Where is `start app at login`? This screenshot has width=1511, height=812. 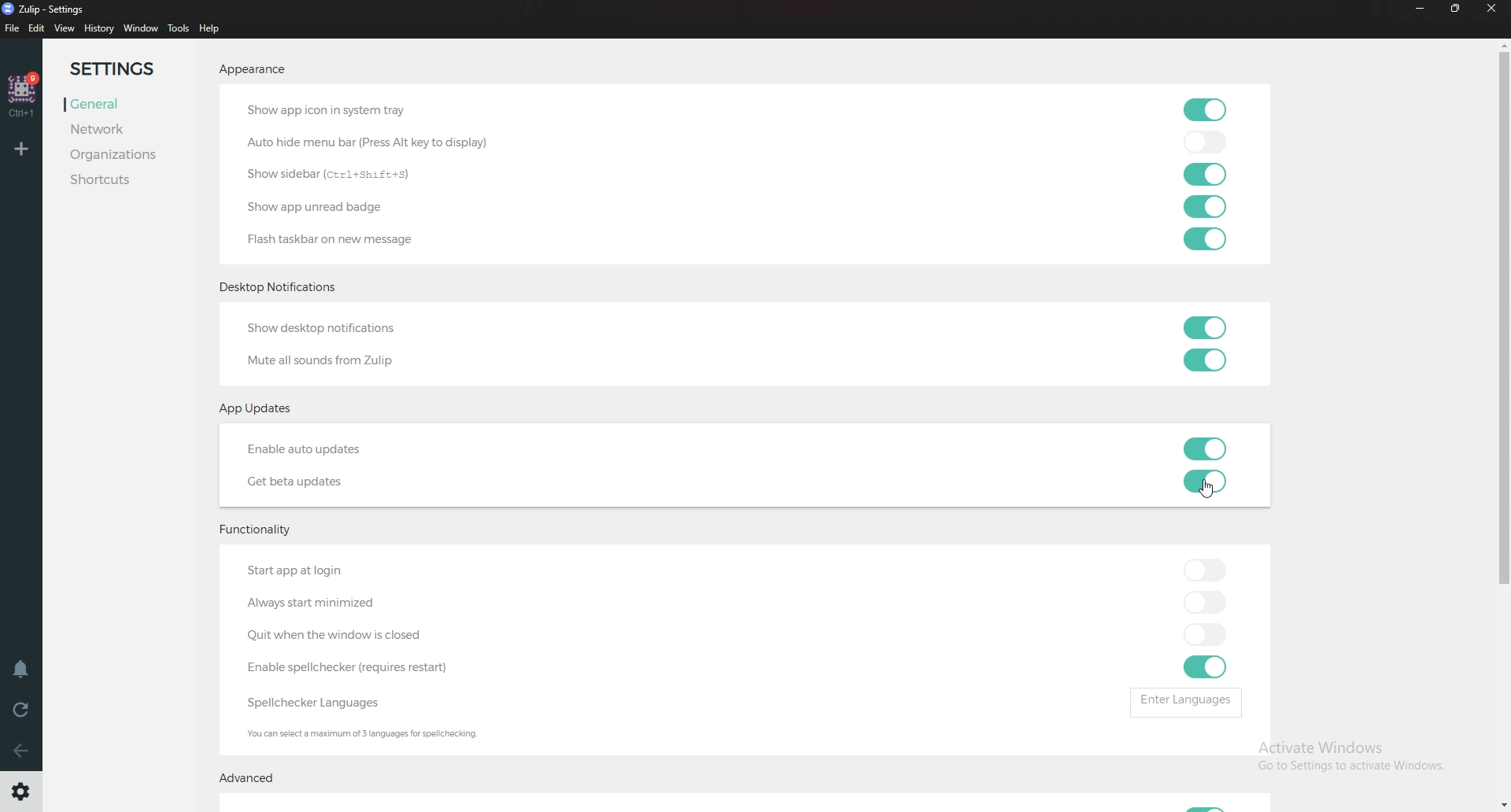
start app at login is located at coordinates (308, 572).